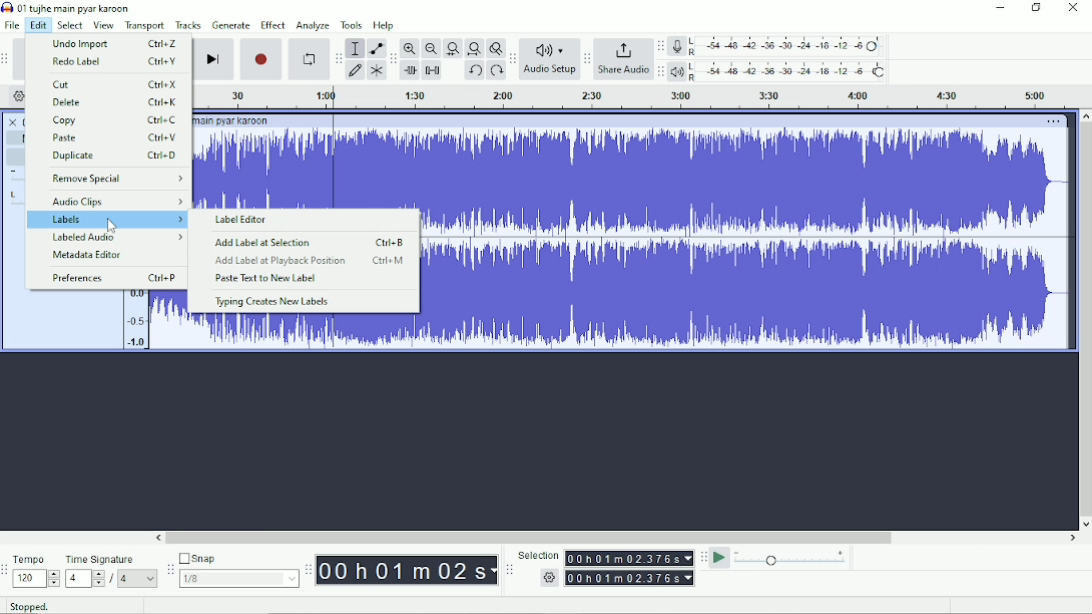 This screenshot has height=614, width=1092. I want to click on Audacity record meter toolbar, so click(661, 46).